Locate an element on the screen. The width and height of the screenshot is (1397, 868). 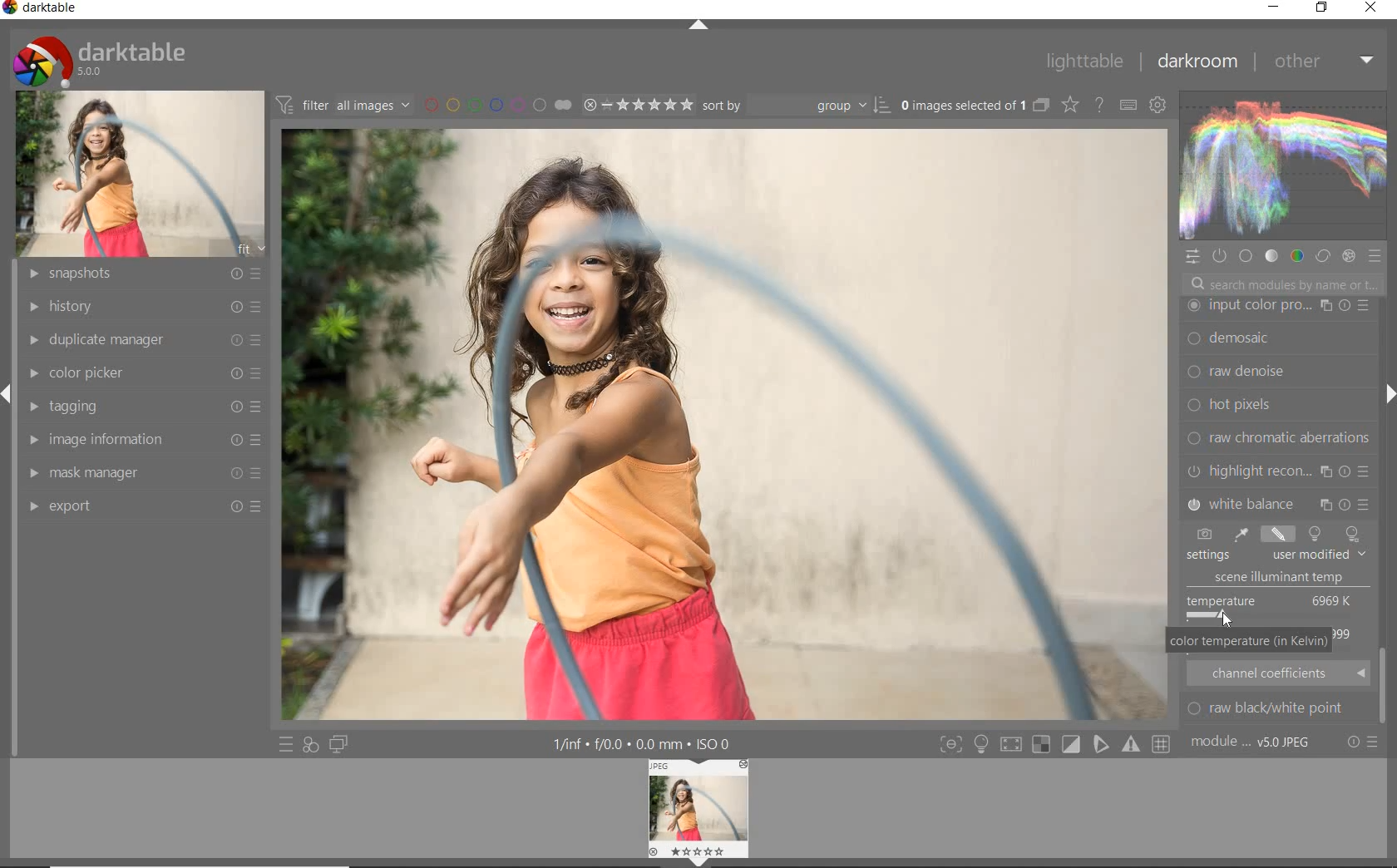
TOOLS TO CHANGE WHITE BALANCE is located at coordinates (1275, 534).